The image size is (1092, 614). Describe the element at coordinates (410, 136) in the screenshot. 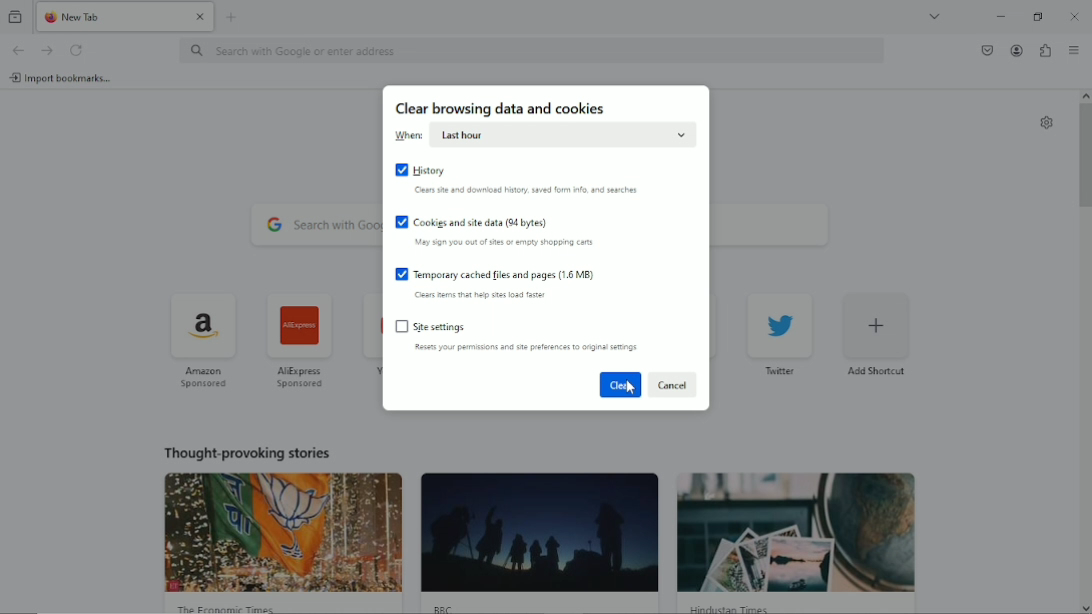

I see `When` at that location.